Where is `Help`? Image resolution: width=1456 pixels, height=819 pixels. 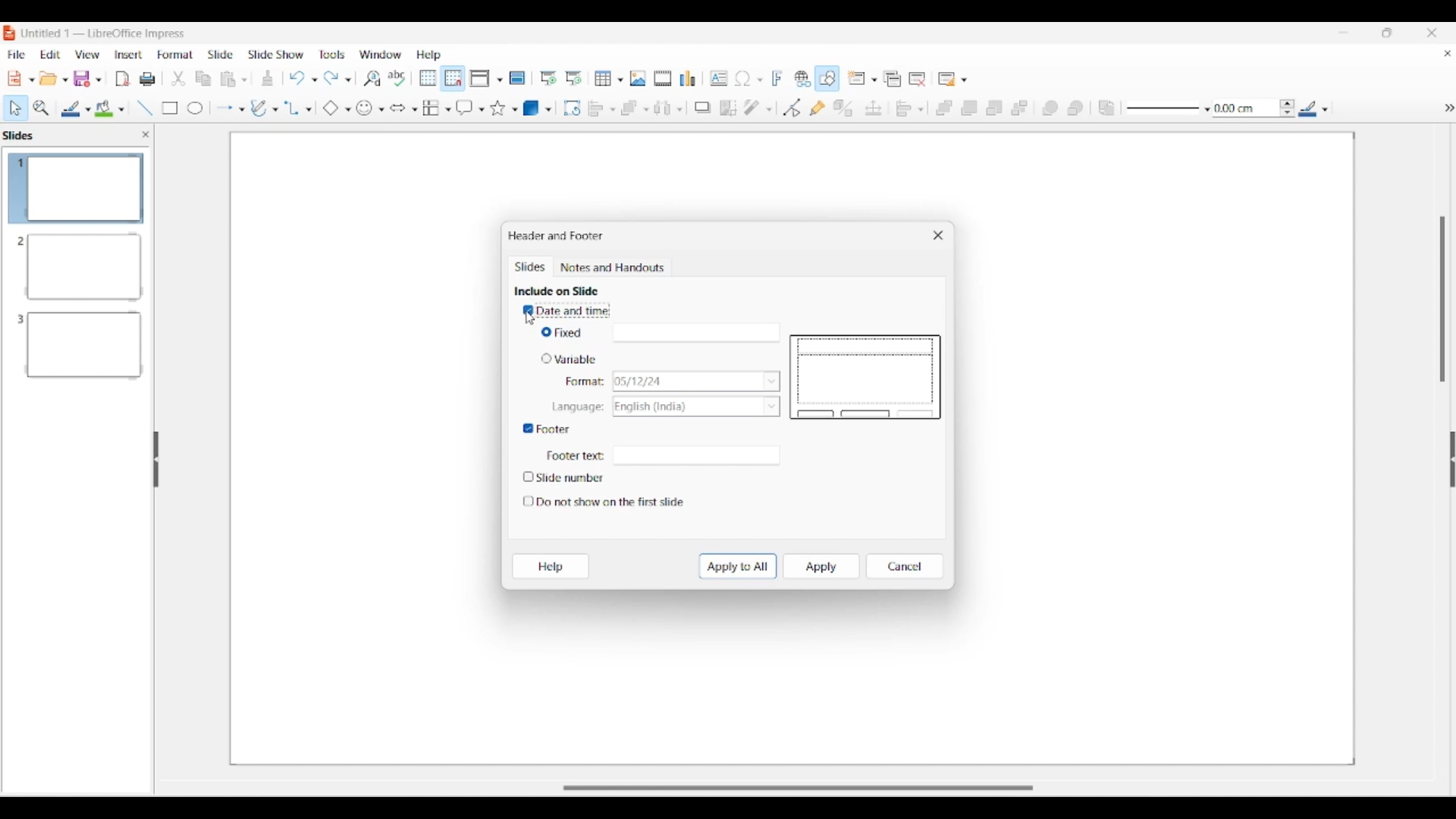
Help is located at coordinates (551, 566).